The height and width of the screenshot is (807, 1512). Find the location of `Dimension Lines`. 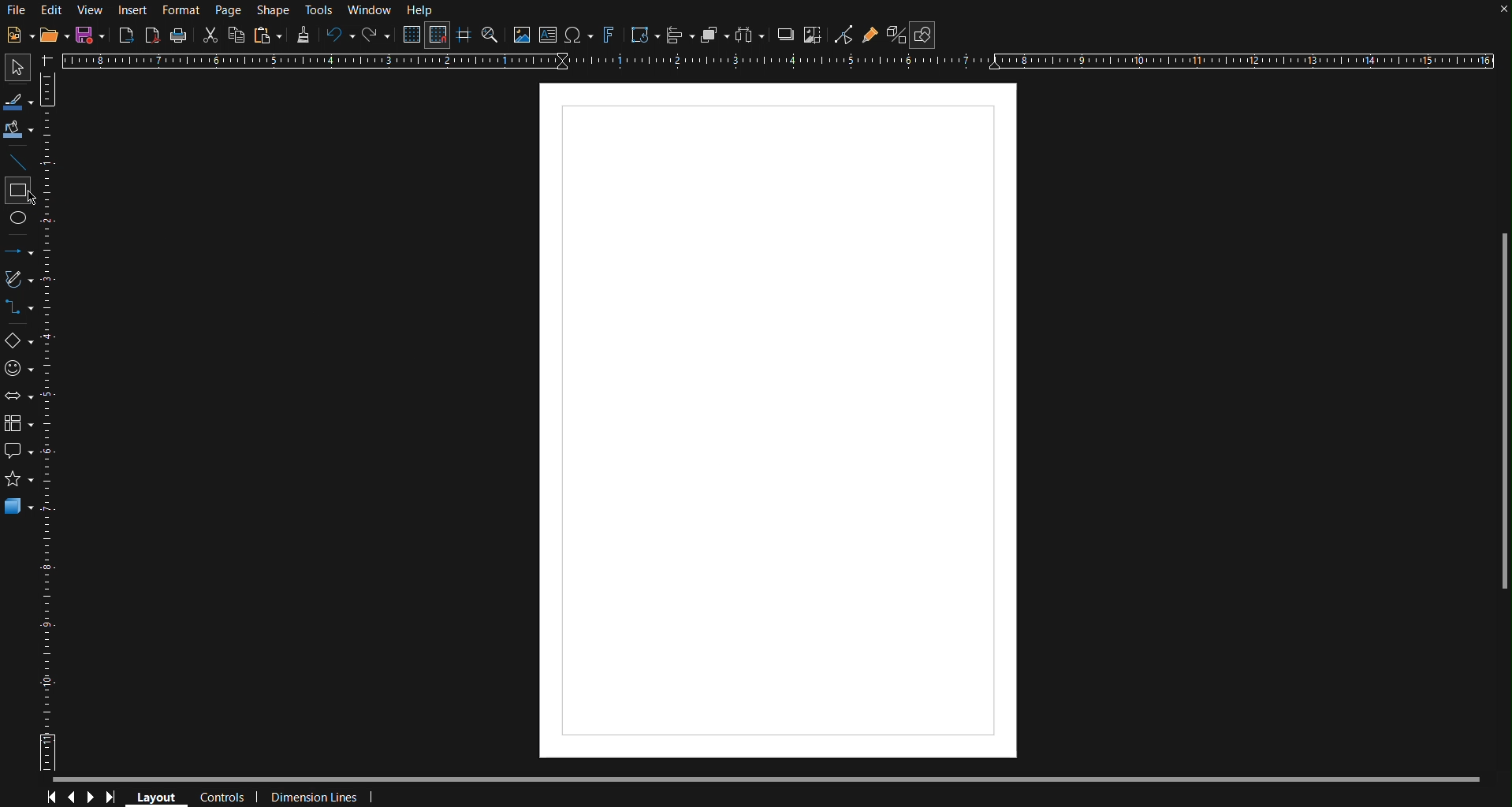

Dimension Lines is located at coordinates (327, 797).